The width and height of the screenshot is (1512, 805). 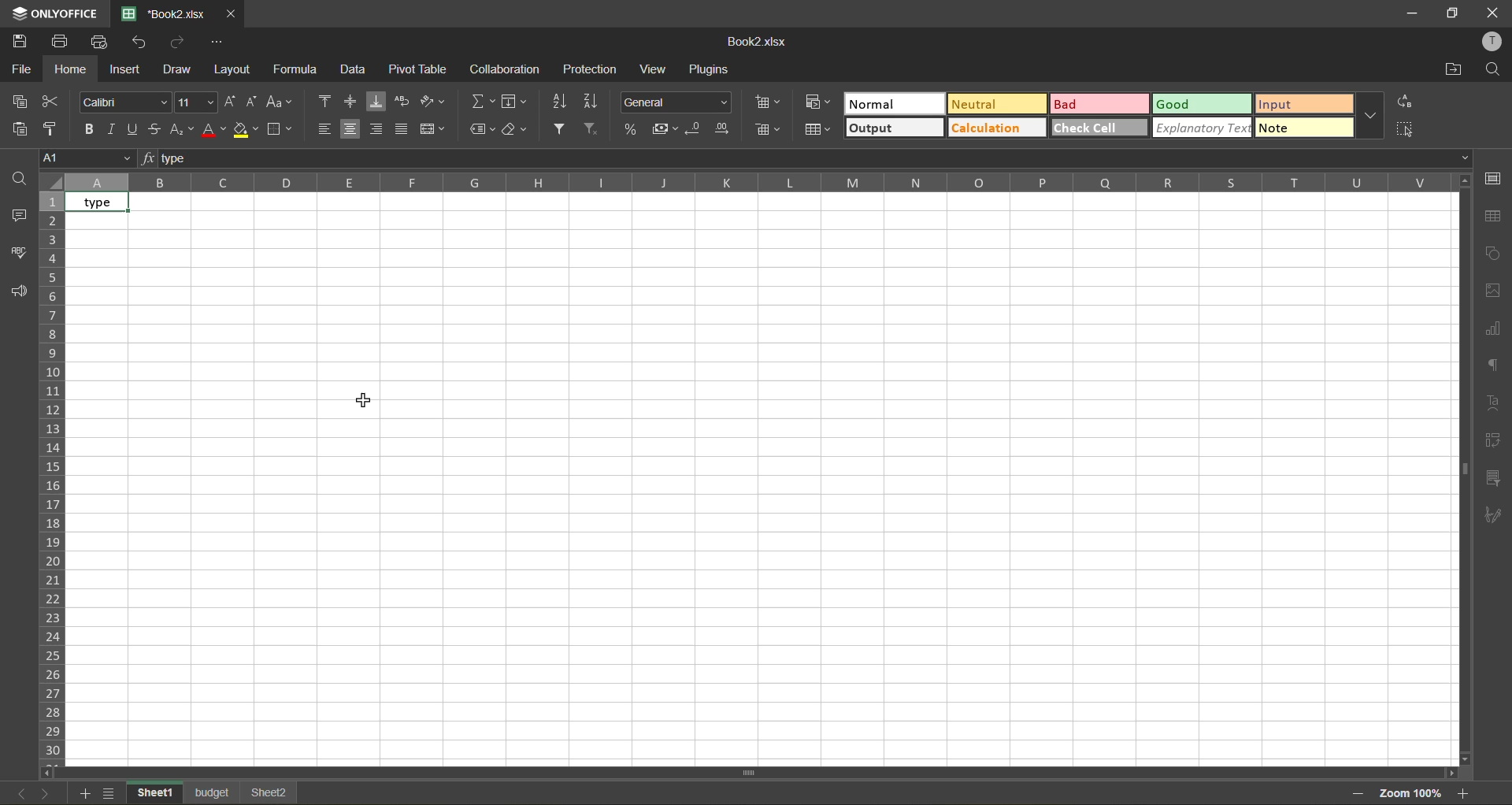 I want to click on maximize, so click(x=1451, y=13).